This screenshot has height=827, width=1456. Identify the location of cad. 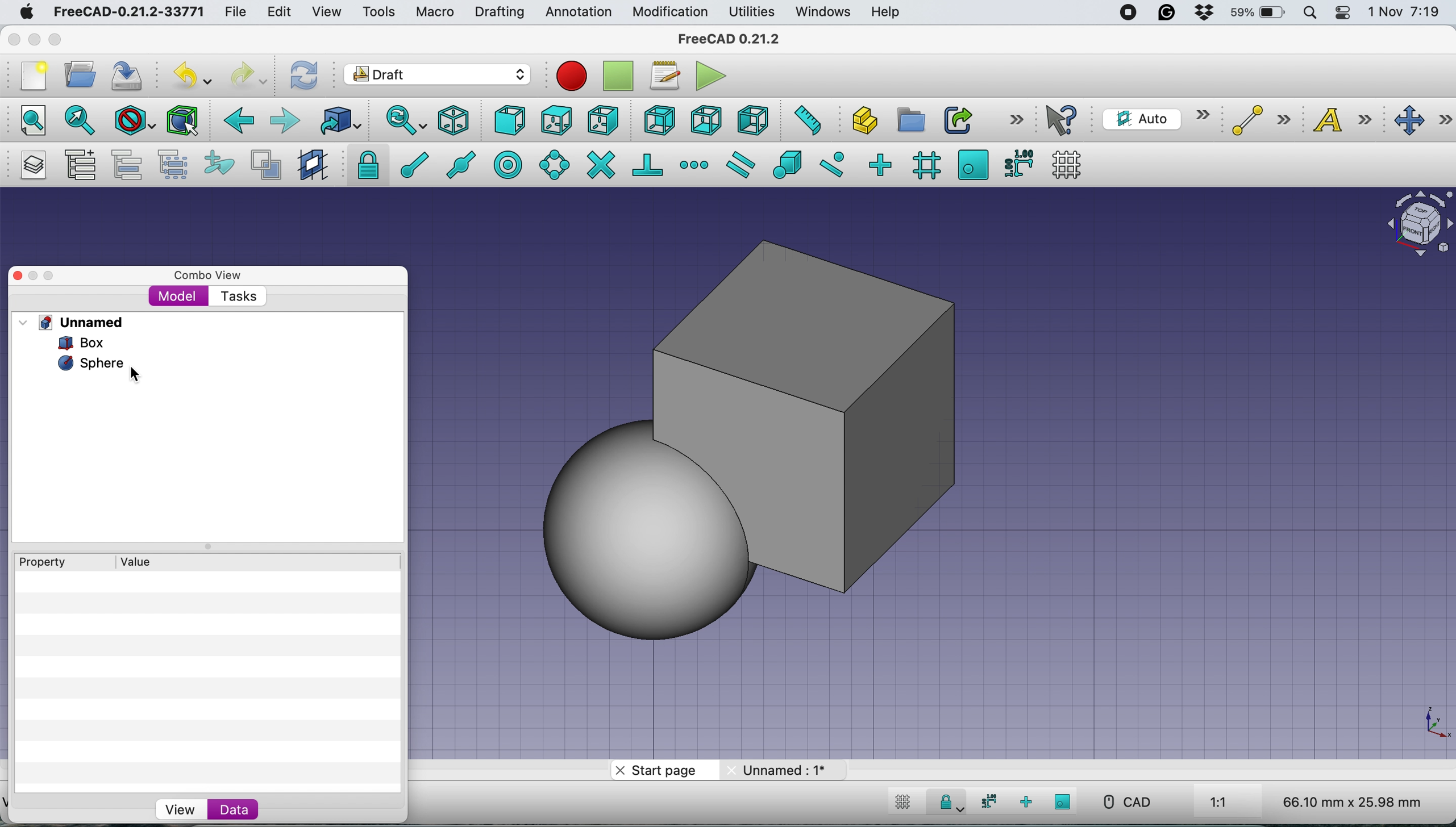
(1126, 802).